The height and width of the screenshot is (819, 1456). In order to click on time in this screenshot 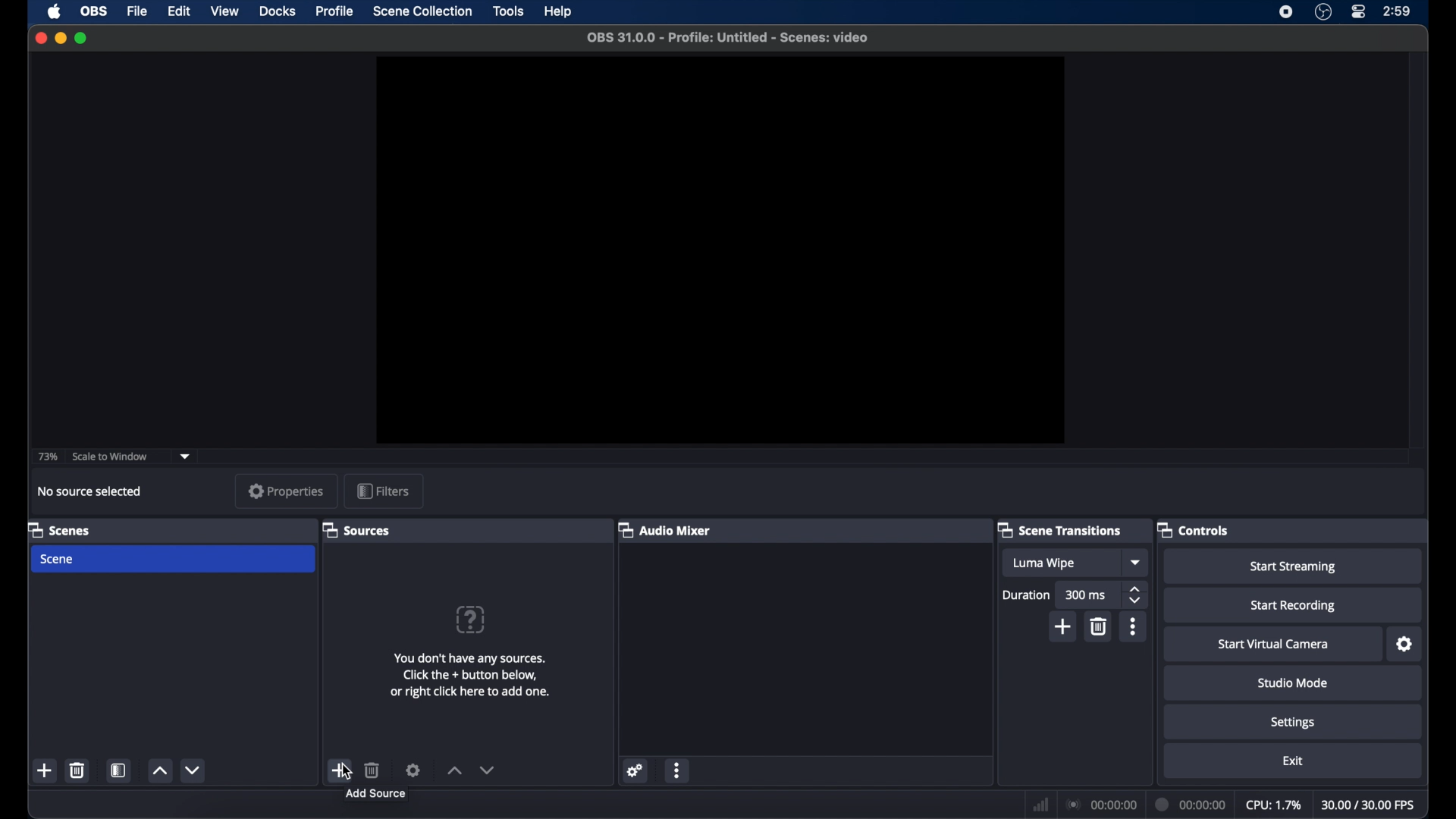, I will do `click(1398, 11)`.